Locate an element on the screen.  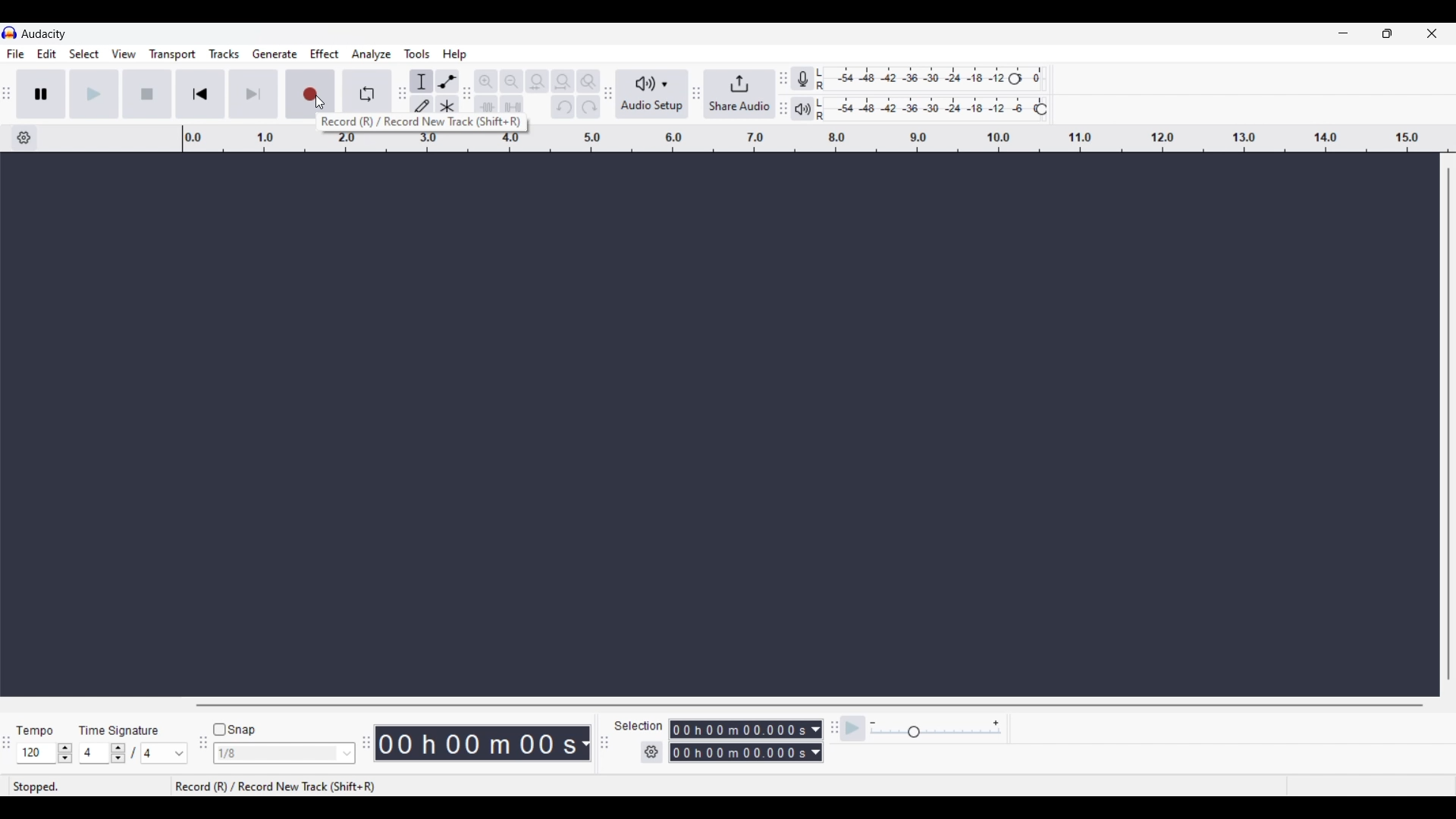
toolbar is located at coordinates (831, 735).